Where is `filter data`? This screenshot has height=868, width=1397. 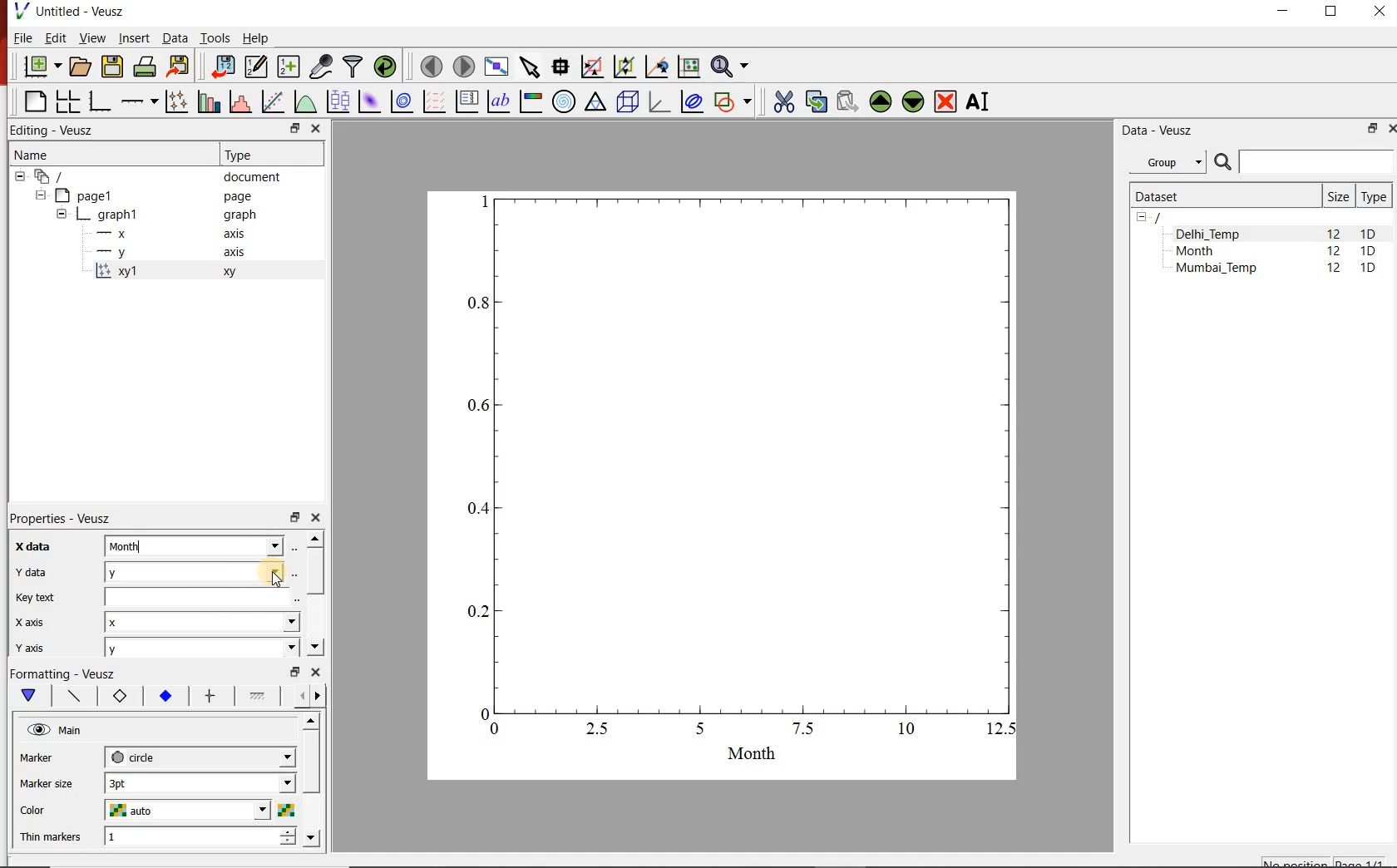
filter data is located at coordinates (353, 67).